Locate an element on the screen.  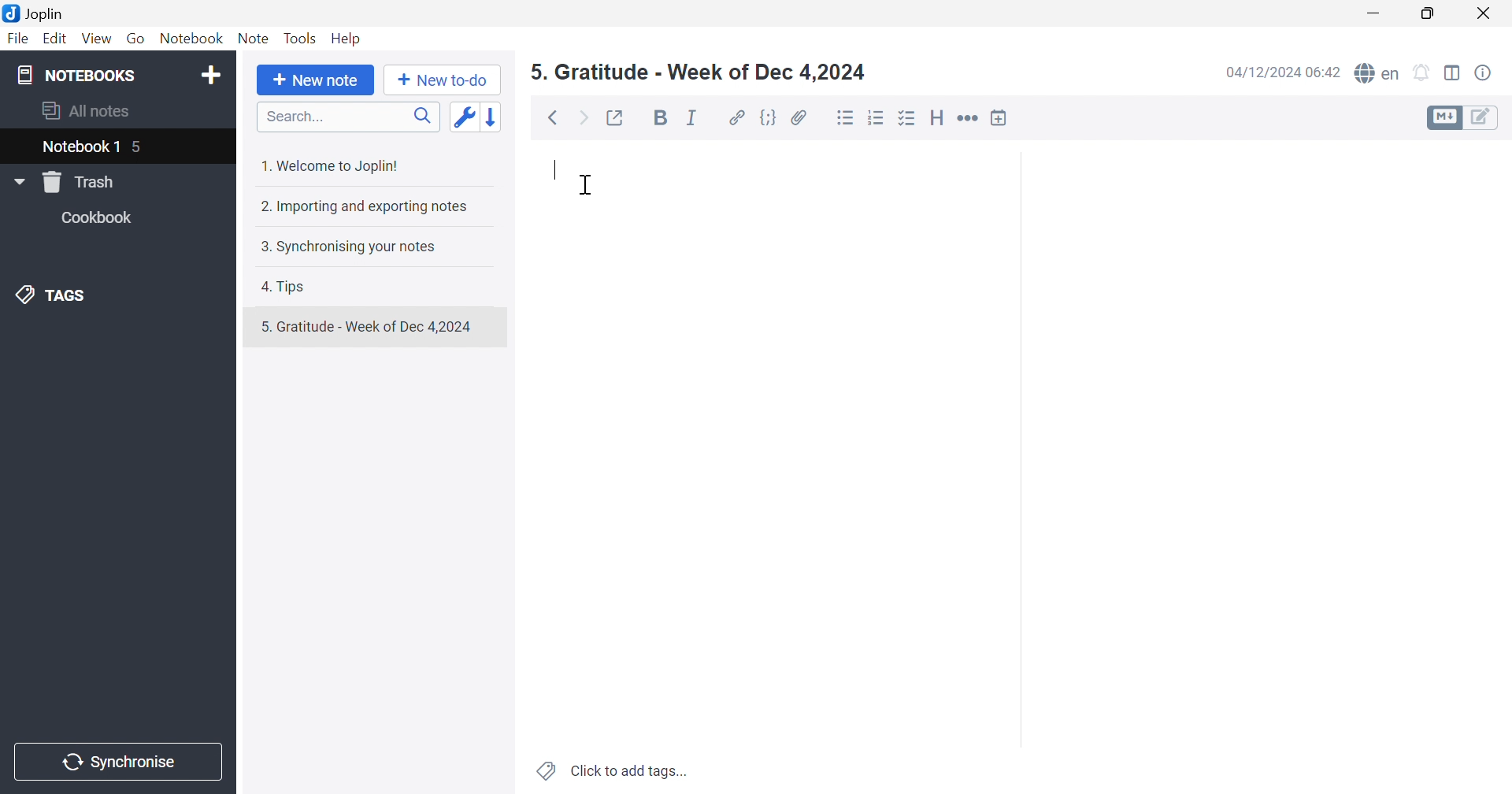
Spell checker is located at coordinates (1377, 72).